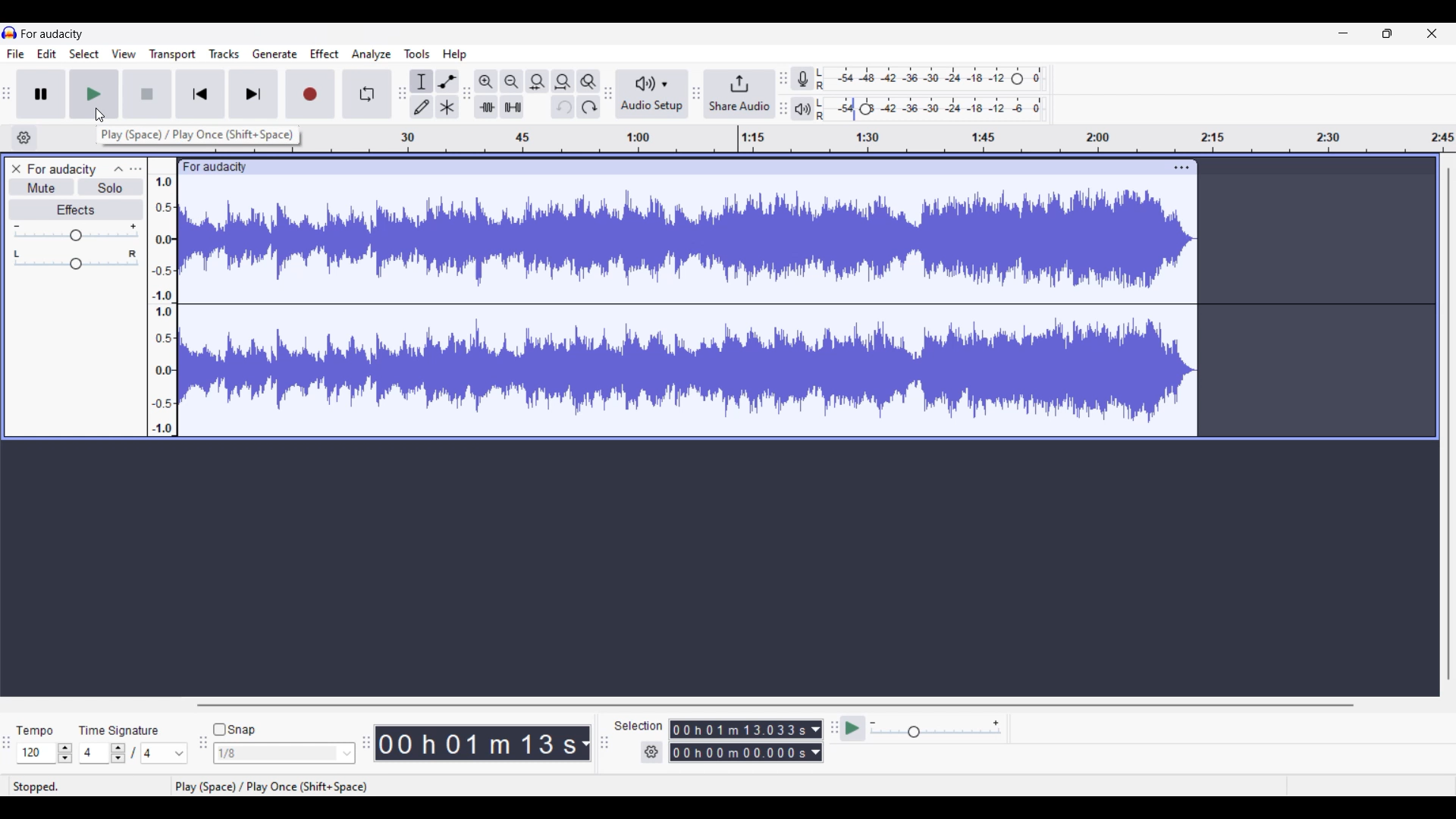 This screenshot has width=1456, height=819. Describe the element at coordinates (651, 752) in the screenshot. I see `Selection settings` at that location.